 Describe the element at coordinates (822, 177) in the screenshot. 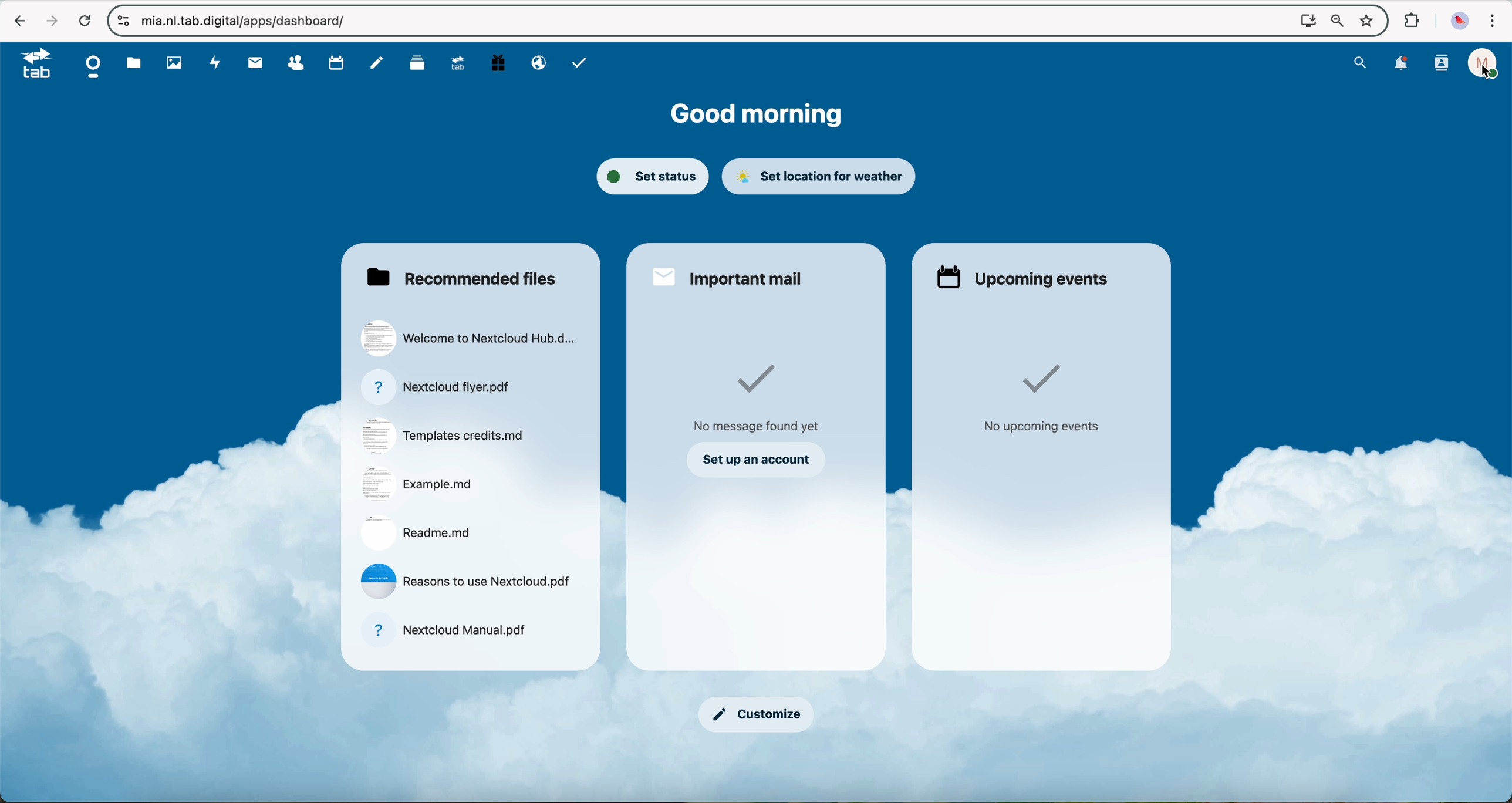

I see `set location for weather` at that location.